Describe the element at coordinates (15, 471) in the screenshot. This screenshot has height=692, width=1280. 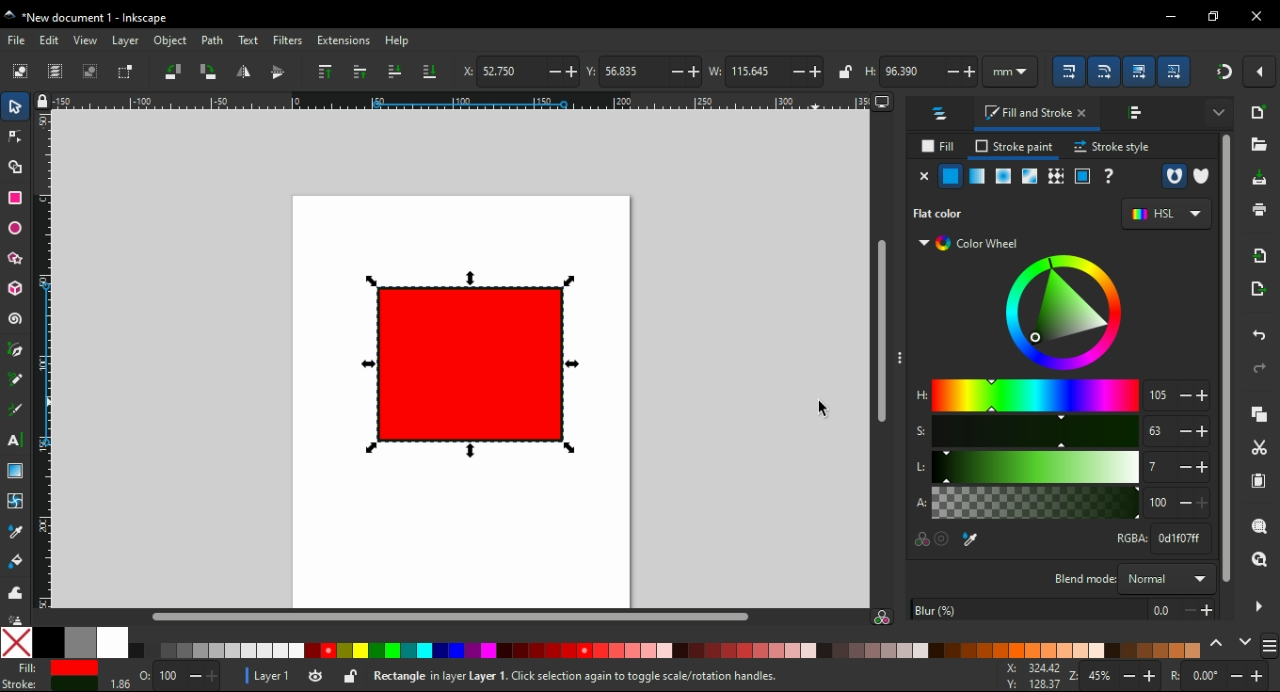
I see `gradient tool` at that location.